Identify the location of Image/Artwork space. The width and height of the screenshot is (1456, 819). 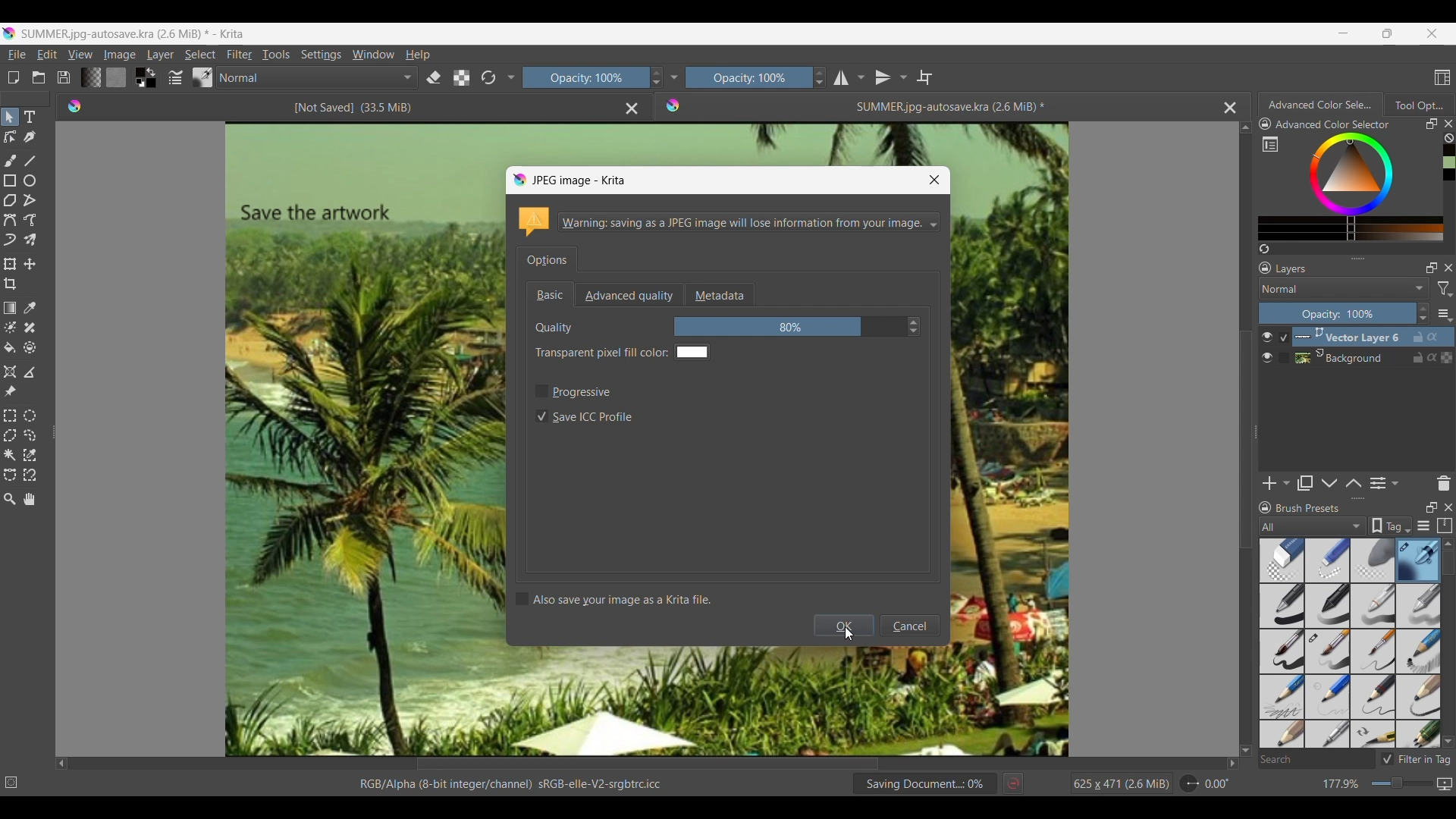
(278, 437).